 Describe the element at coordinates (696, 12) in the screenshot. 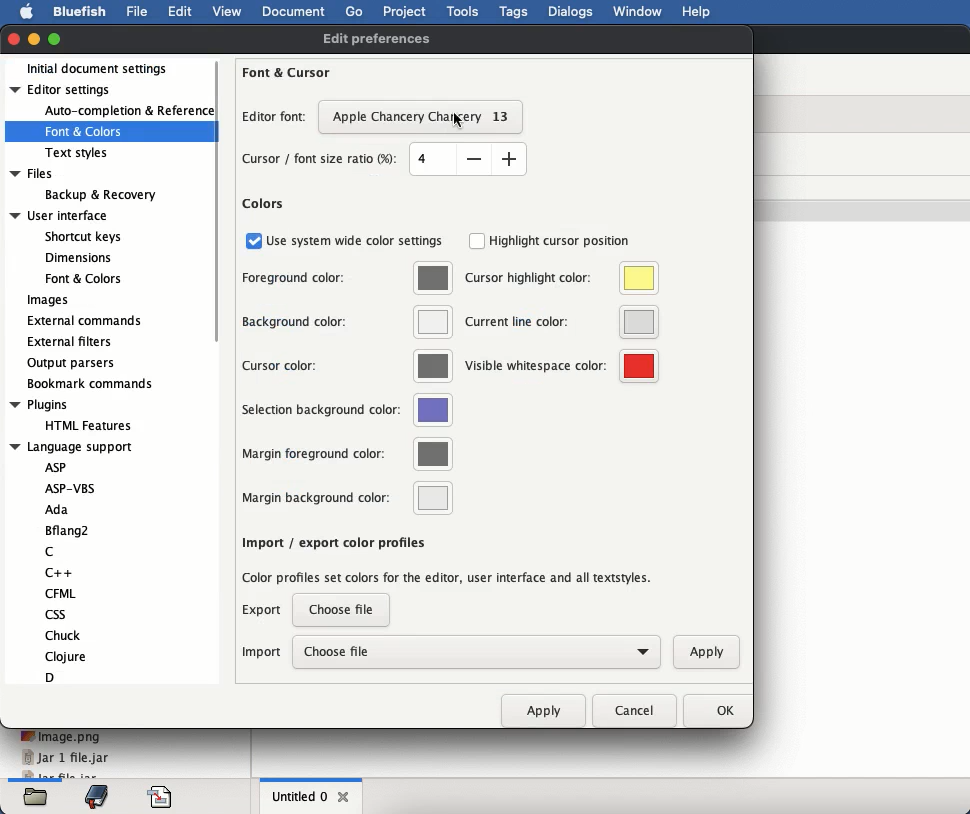

I see `help` at that location.